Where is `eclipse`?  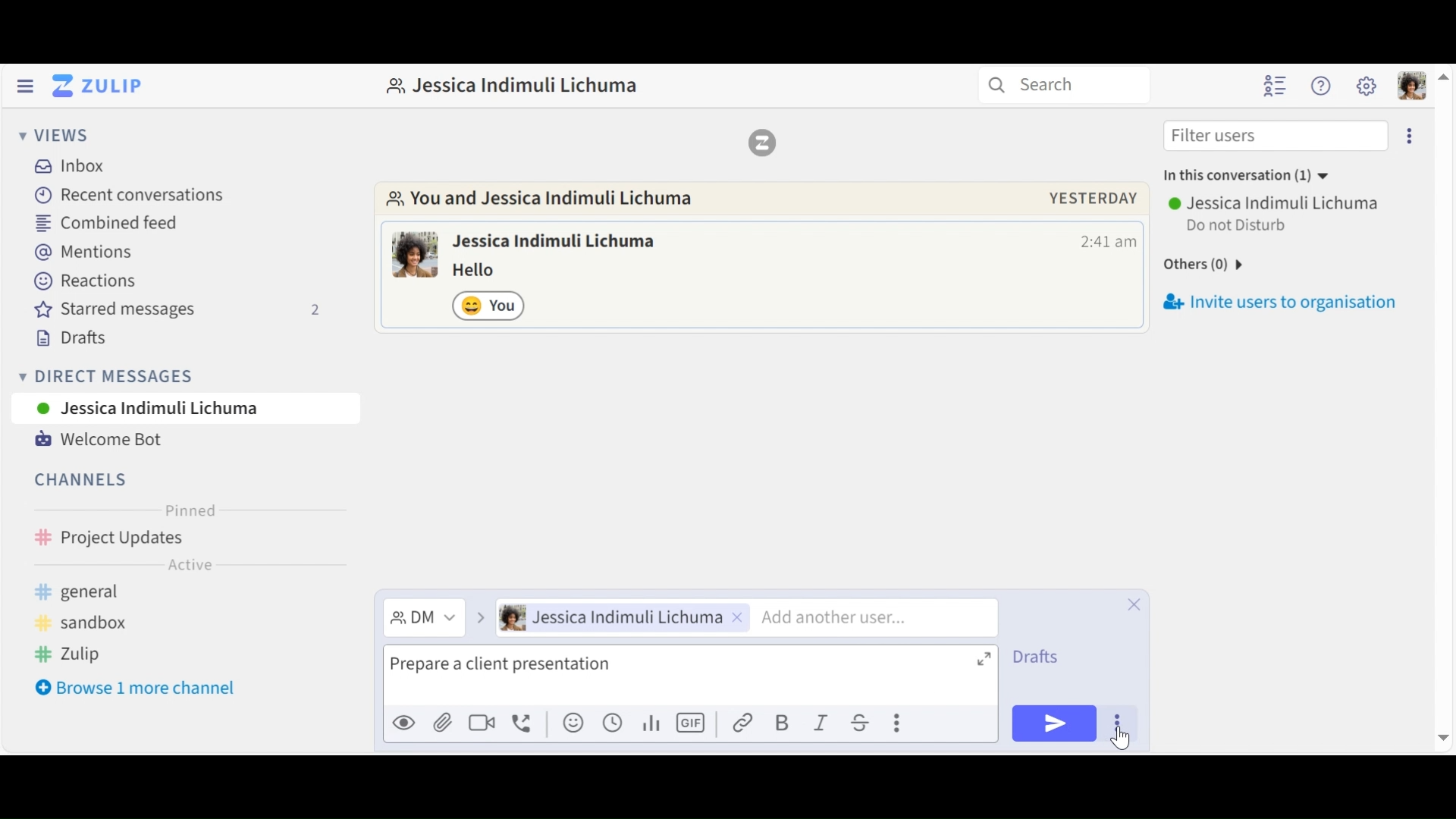 eclipse is located at coordinates (1412, 135).